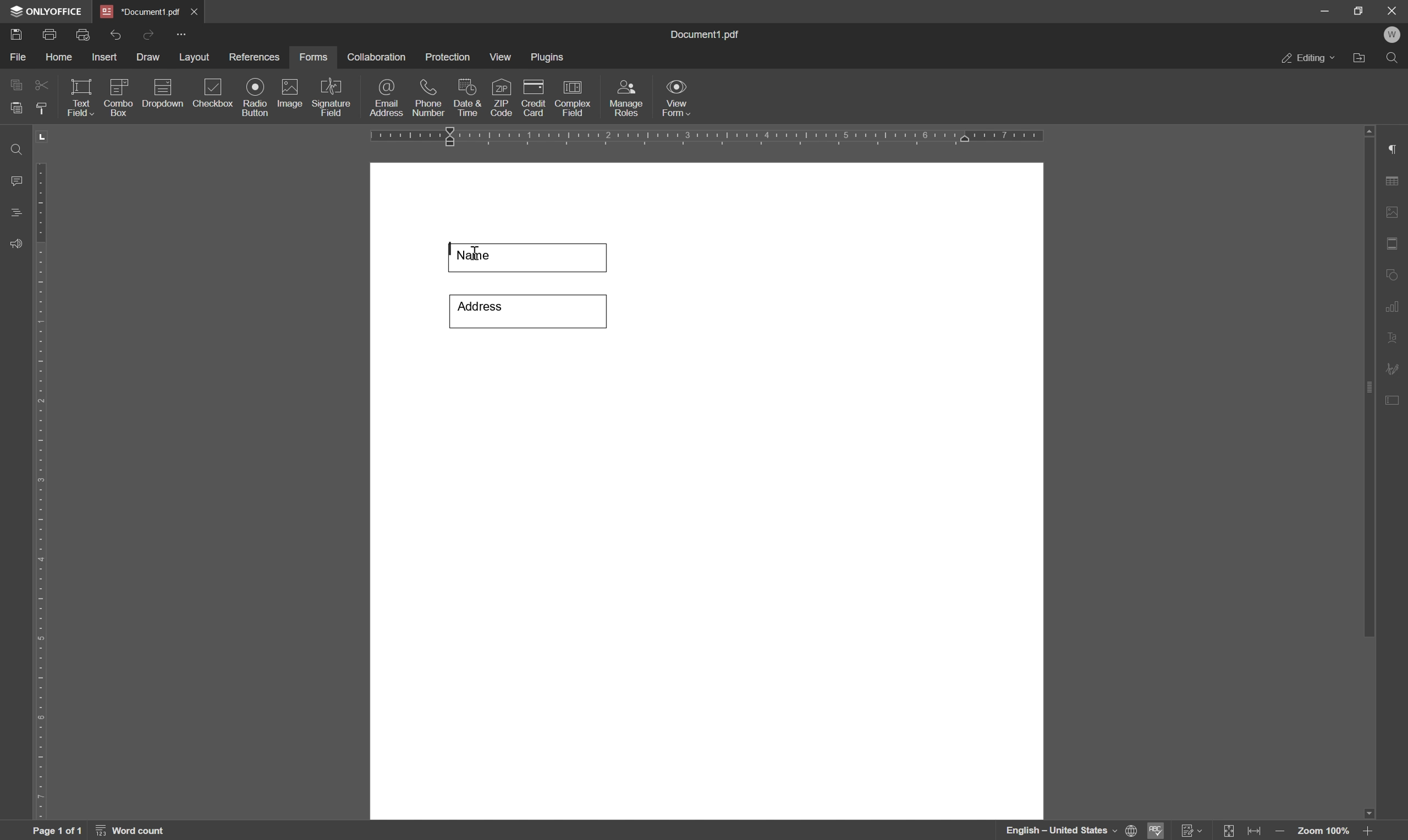 Image resolution: width=1408 pixels, height=840 pixels. Describe the element at coordinates (1307, 59) in the screenshot. I see `editing` at that location.